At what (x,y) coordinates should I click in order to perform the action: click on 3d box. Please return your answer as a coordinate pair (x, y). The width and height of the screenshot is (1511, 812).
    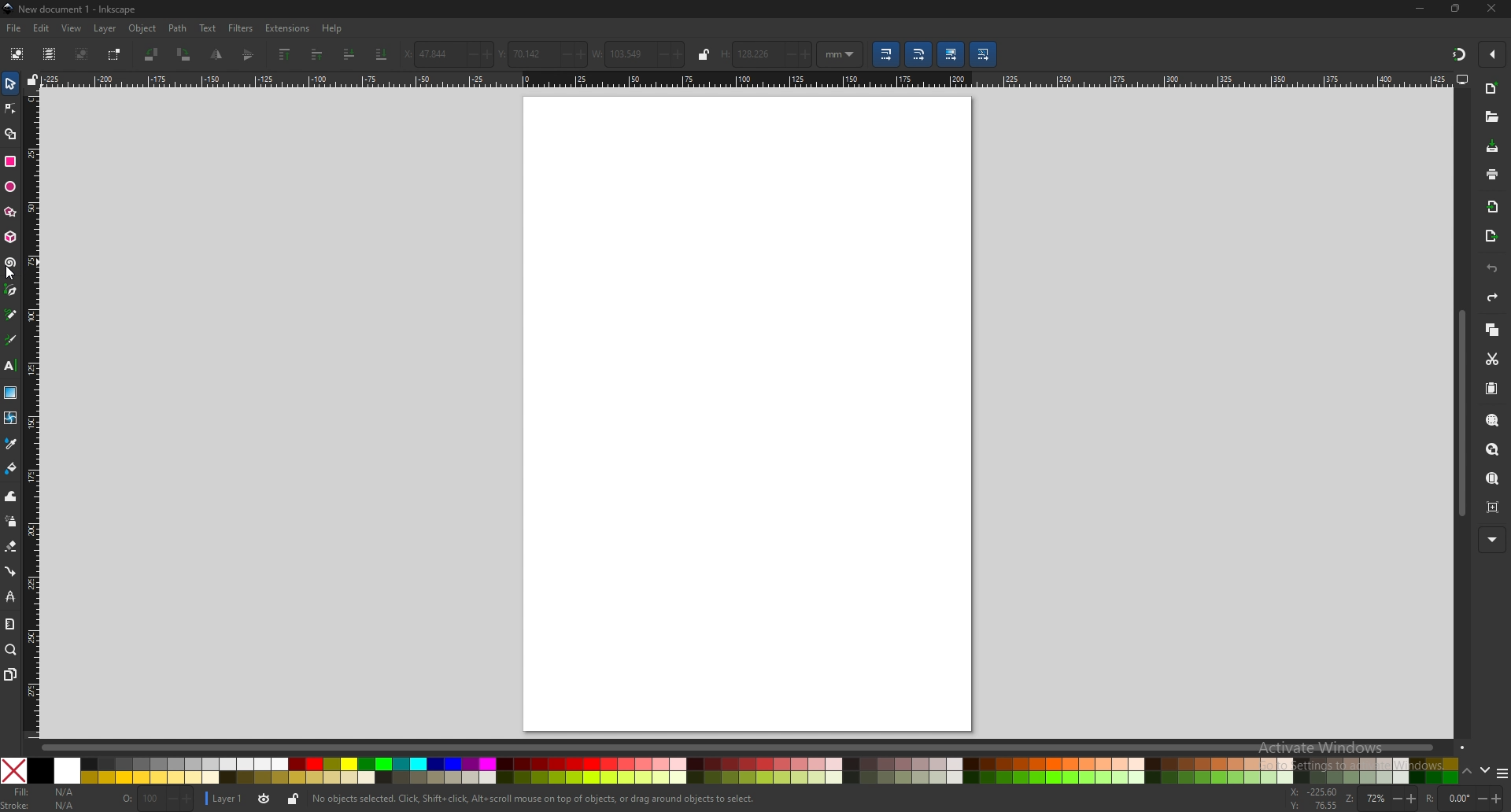
    Looking at the image, I should click on (10, 238).